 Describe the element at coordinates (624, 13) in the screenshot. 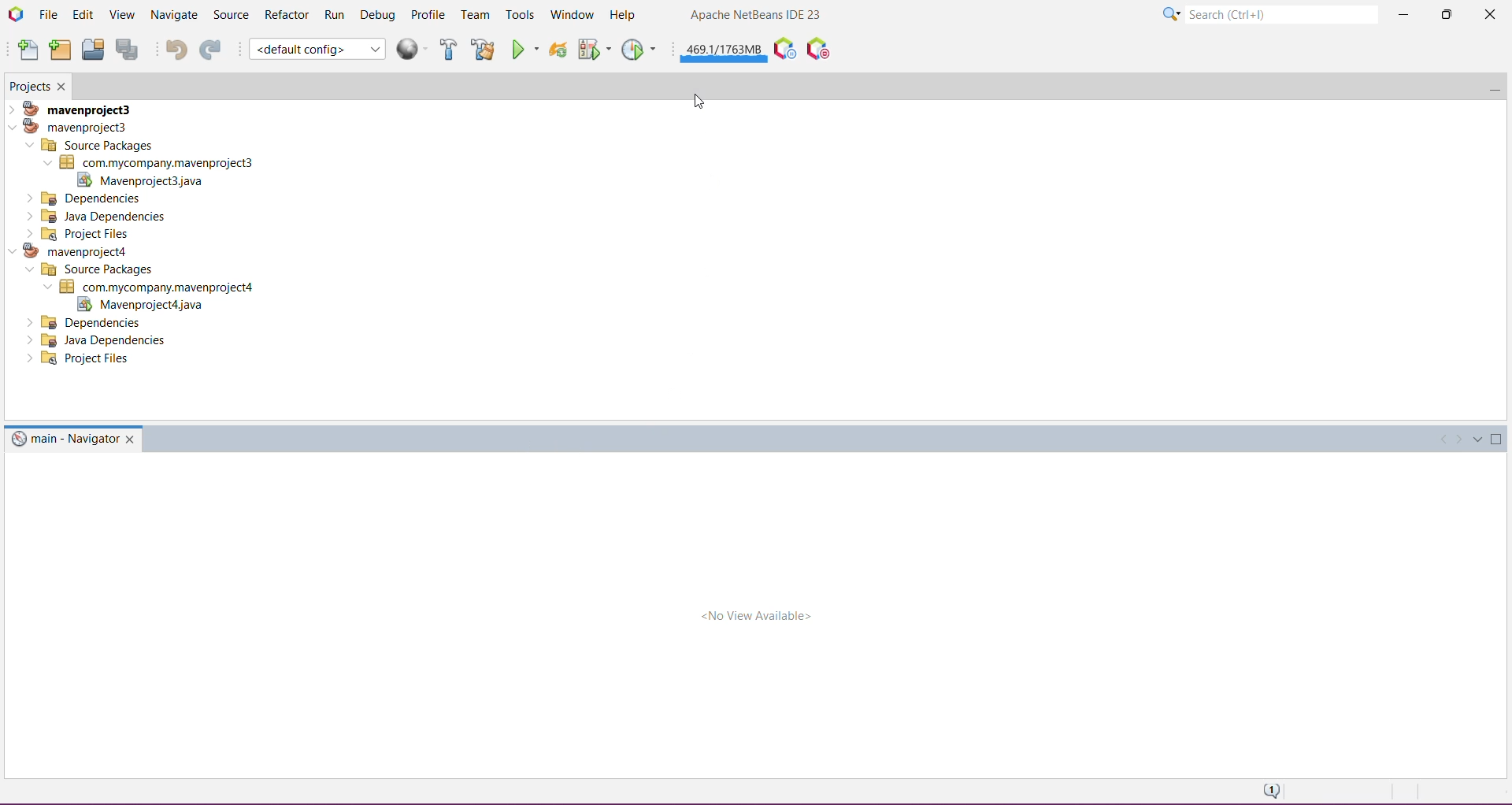

I see `Help` at that location.